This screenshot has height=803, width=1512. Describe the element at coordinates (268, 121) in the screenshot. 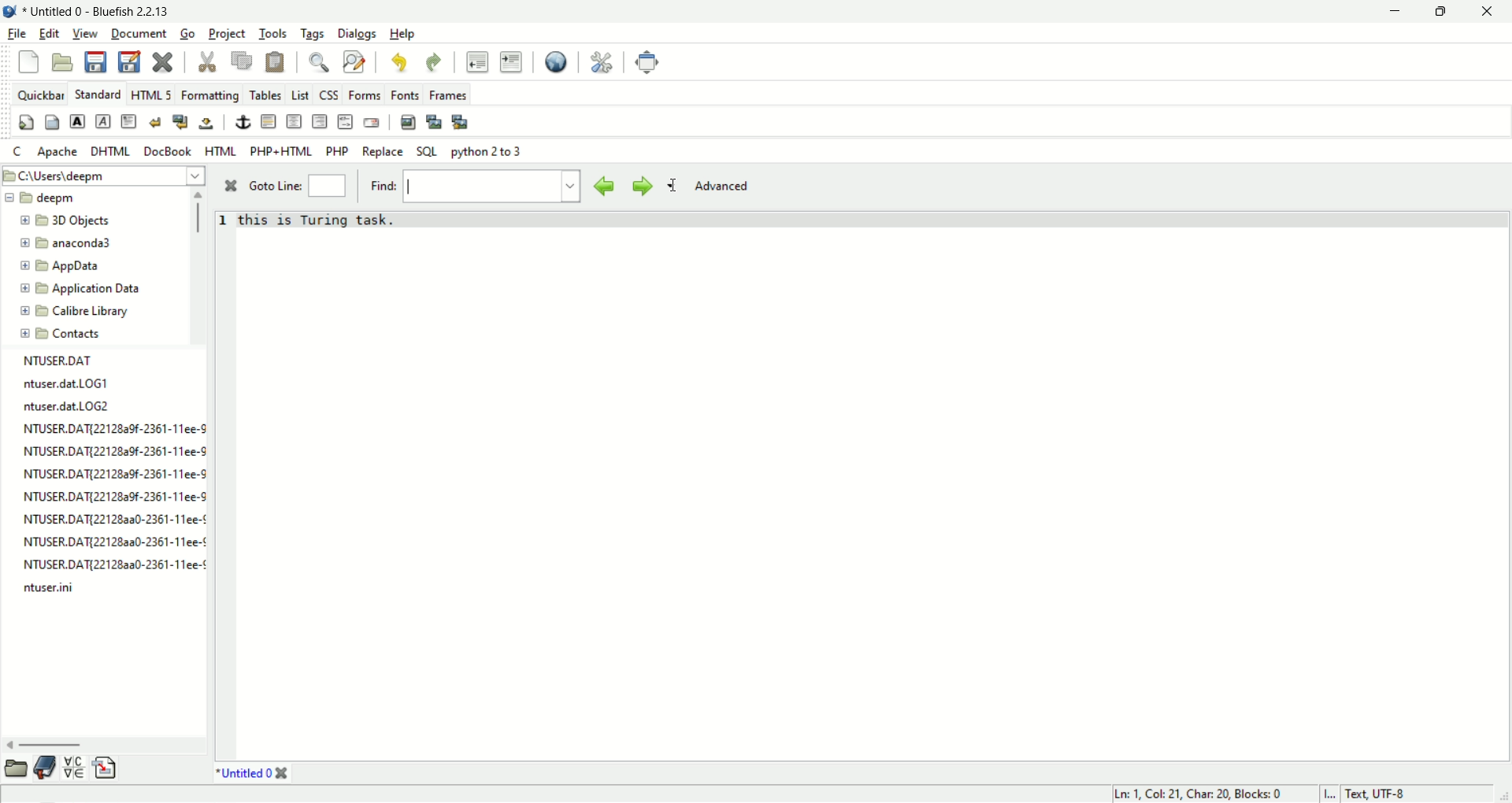

I see `horizontal rule` at that location.